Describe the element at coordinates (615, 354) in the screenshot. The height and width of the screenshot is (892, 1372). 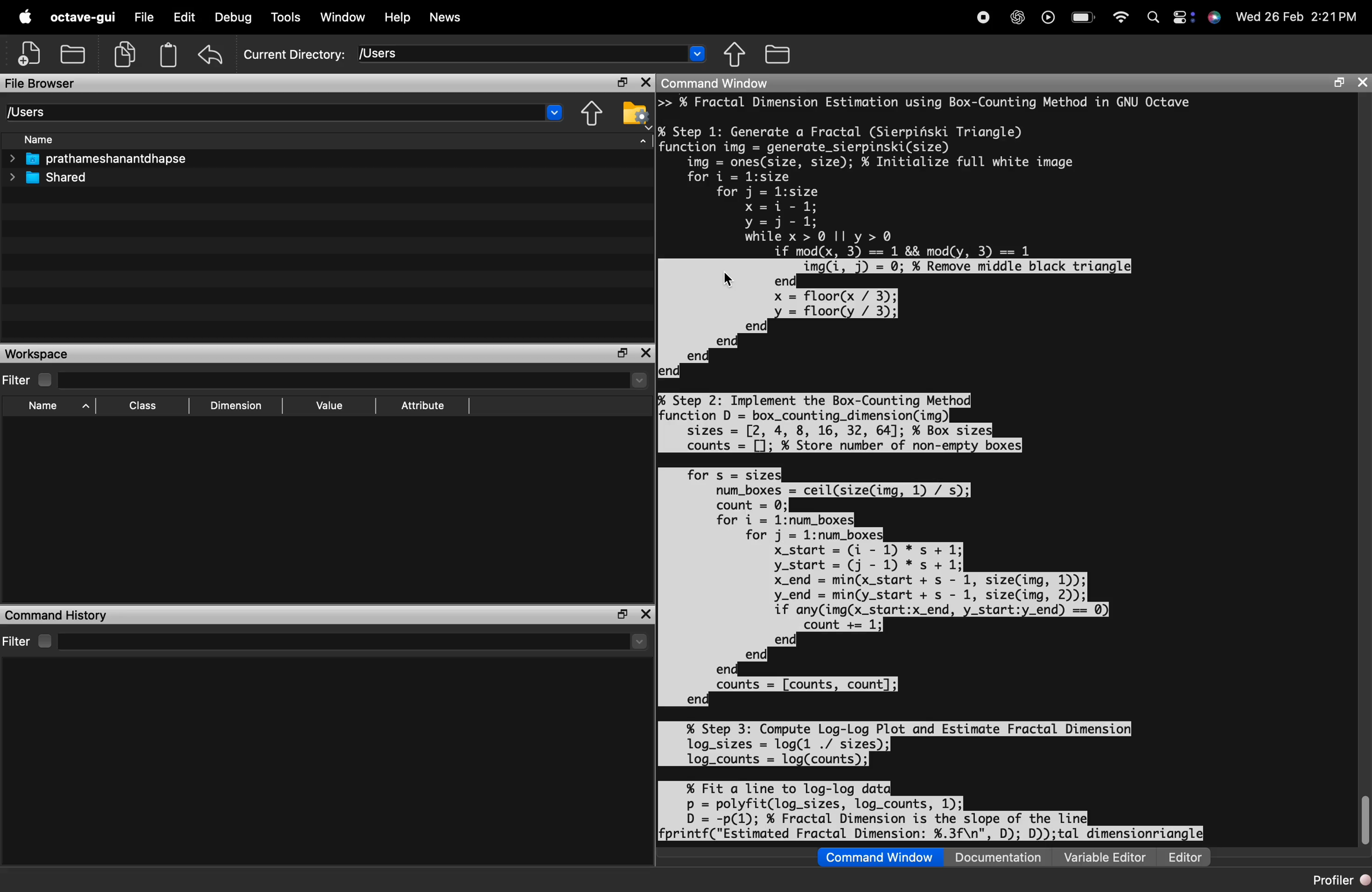
I see `maximise` at that location.